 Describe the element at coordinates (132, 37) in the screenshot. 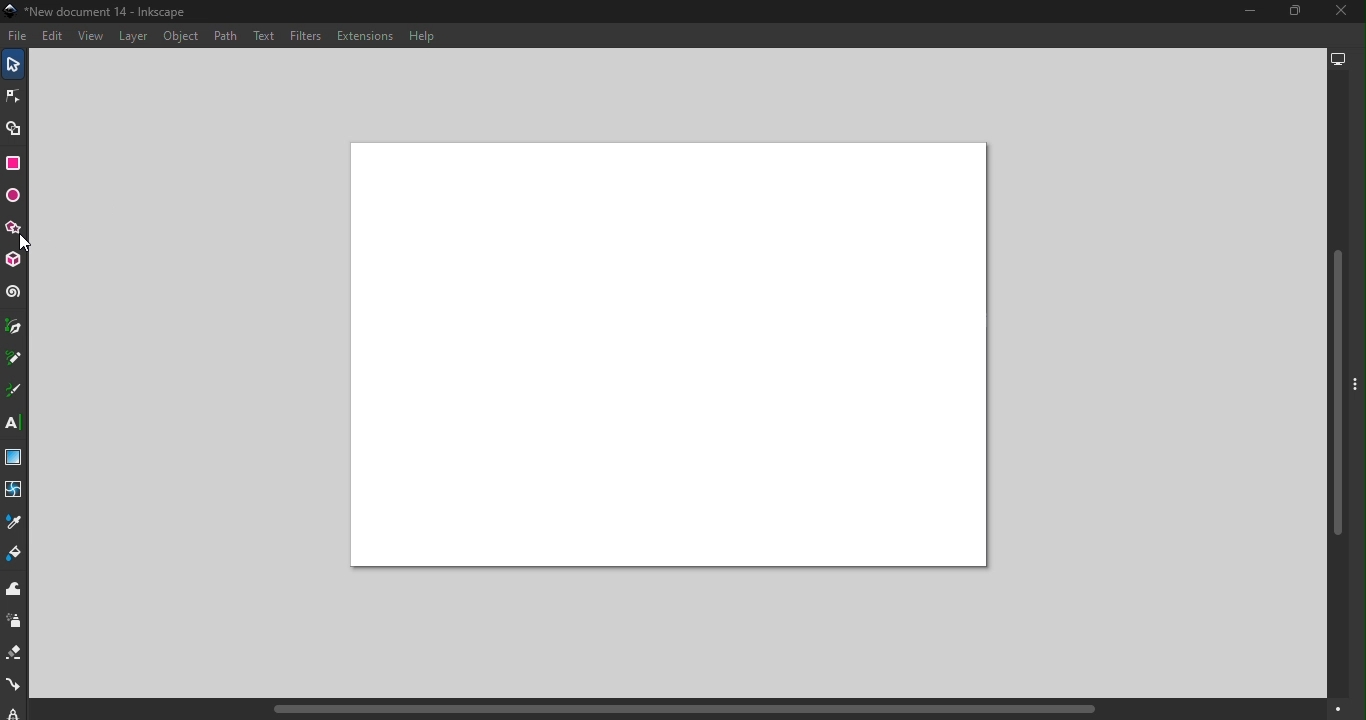

I see `Layers` at that location.